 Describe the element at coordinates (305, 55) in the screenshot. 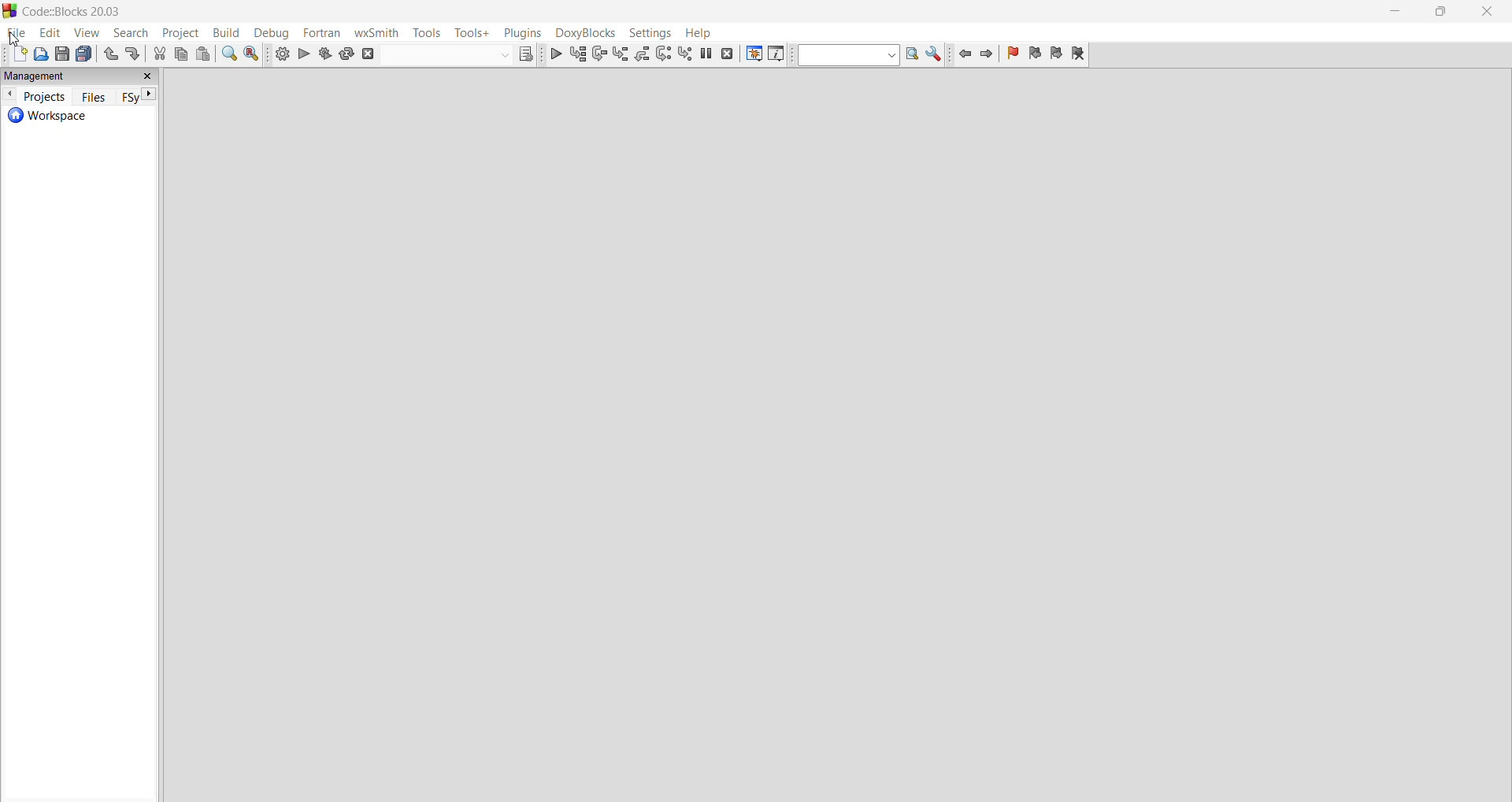

I see `run` at that location.